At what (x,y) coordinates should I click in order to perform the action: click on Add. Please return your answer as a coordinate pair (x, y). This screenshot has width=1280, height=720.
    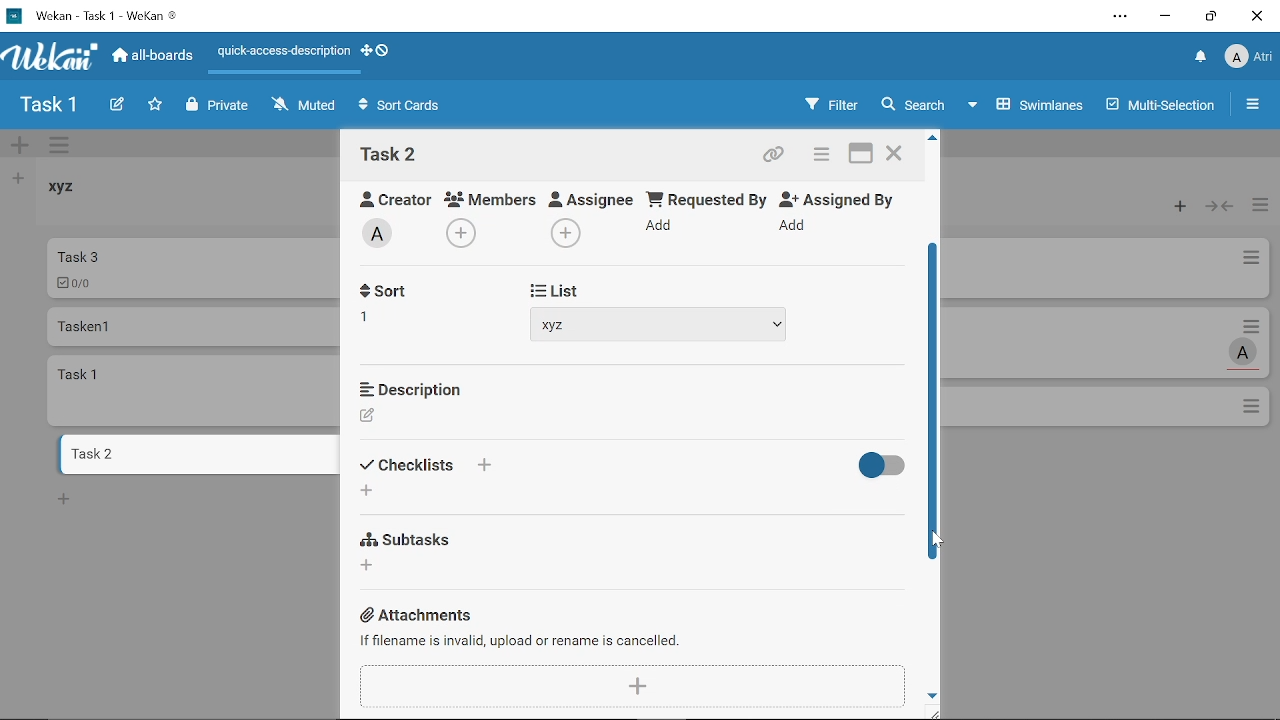
    Looking at the image, I should click on (662, 229).